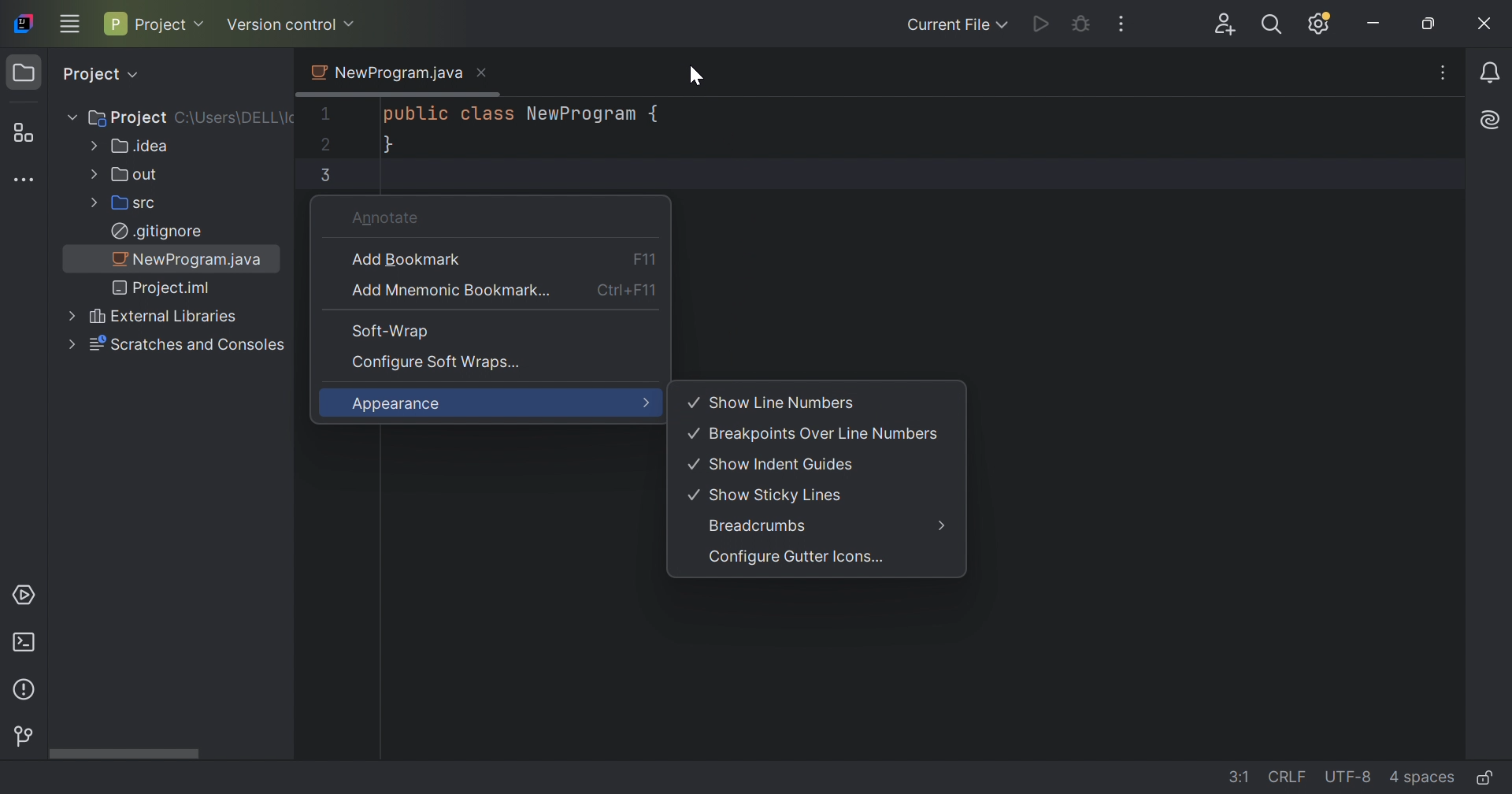  I want to click on Notifications, so click(1490, 74).